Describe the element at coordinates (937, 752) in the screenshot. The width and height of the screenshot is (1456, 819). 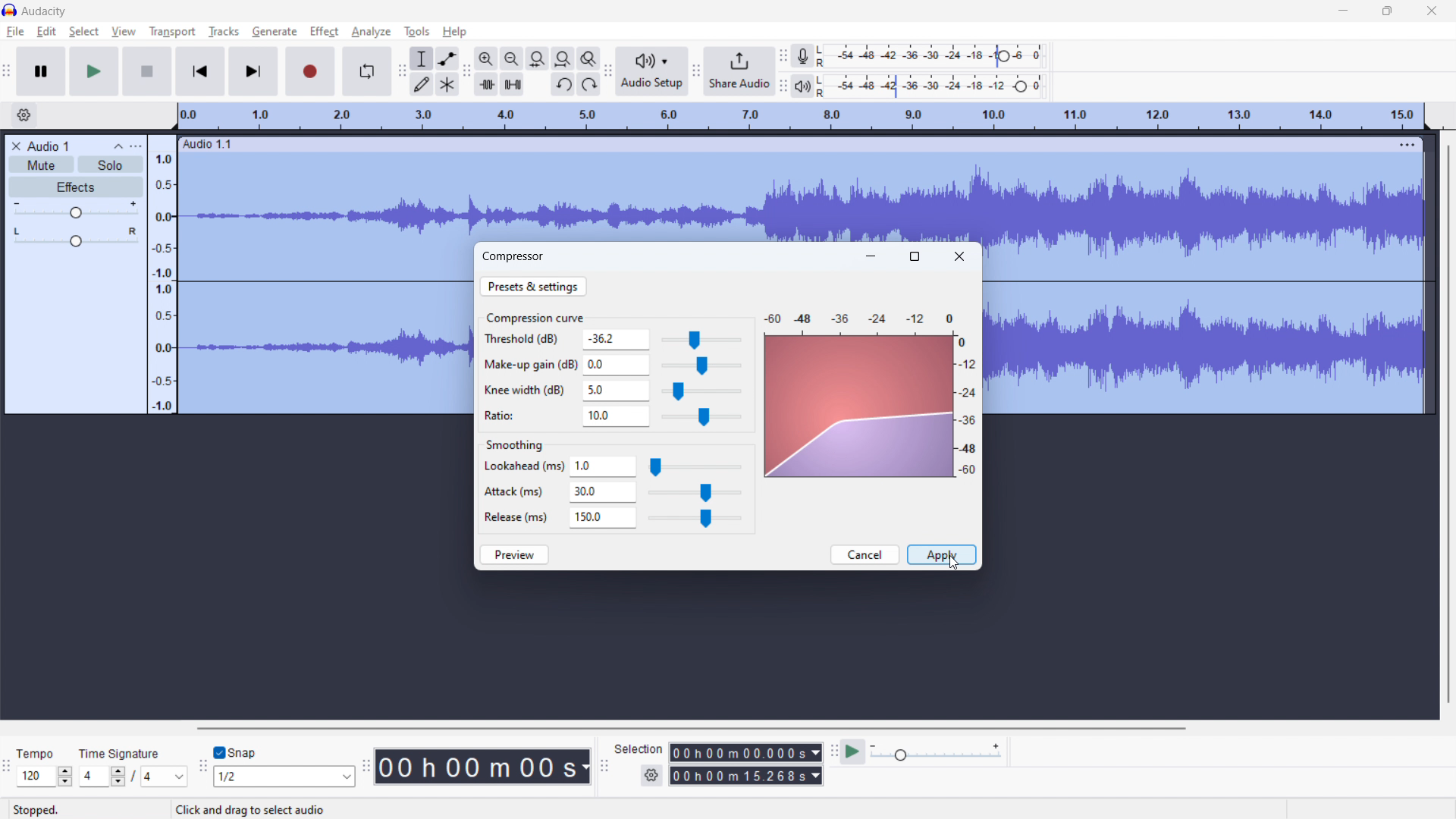
I see `playback speed` at that location.